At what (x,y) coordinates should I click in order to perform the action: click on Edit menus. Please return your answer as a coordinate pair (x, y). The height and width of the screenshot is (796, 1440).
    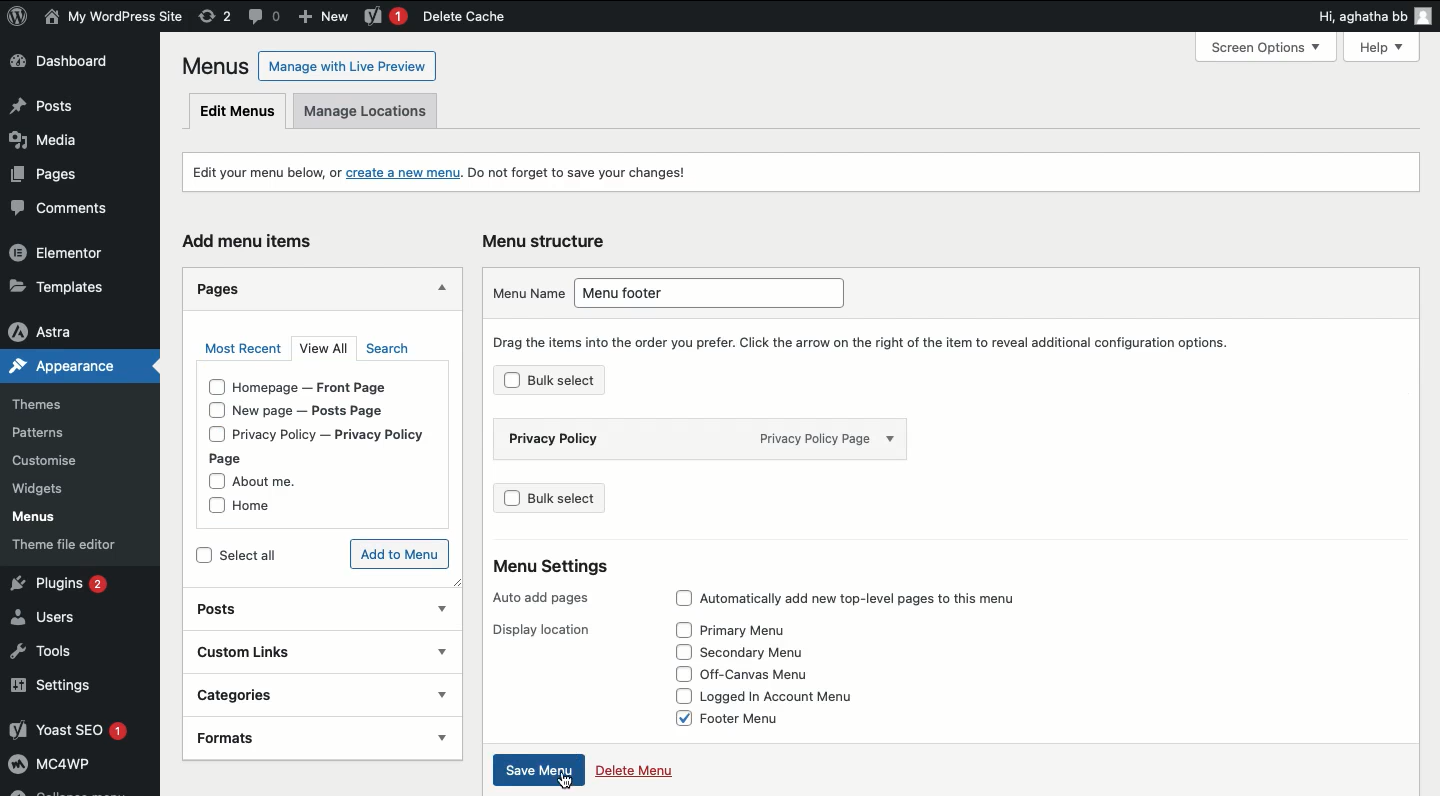
    Looking at the image, I should click on (238, 112).